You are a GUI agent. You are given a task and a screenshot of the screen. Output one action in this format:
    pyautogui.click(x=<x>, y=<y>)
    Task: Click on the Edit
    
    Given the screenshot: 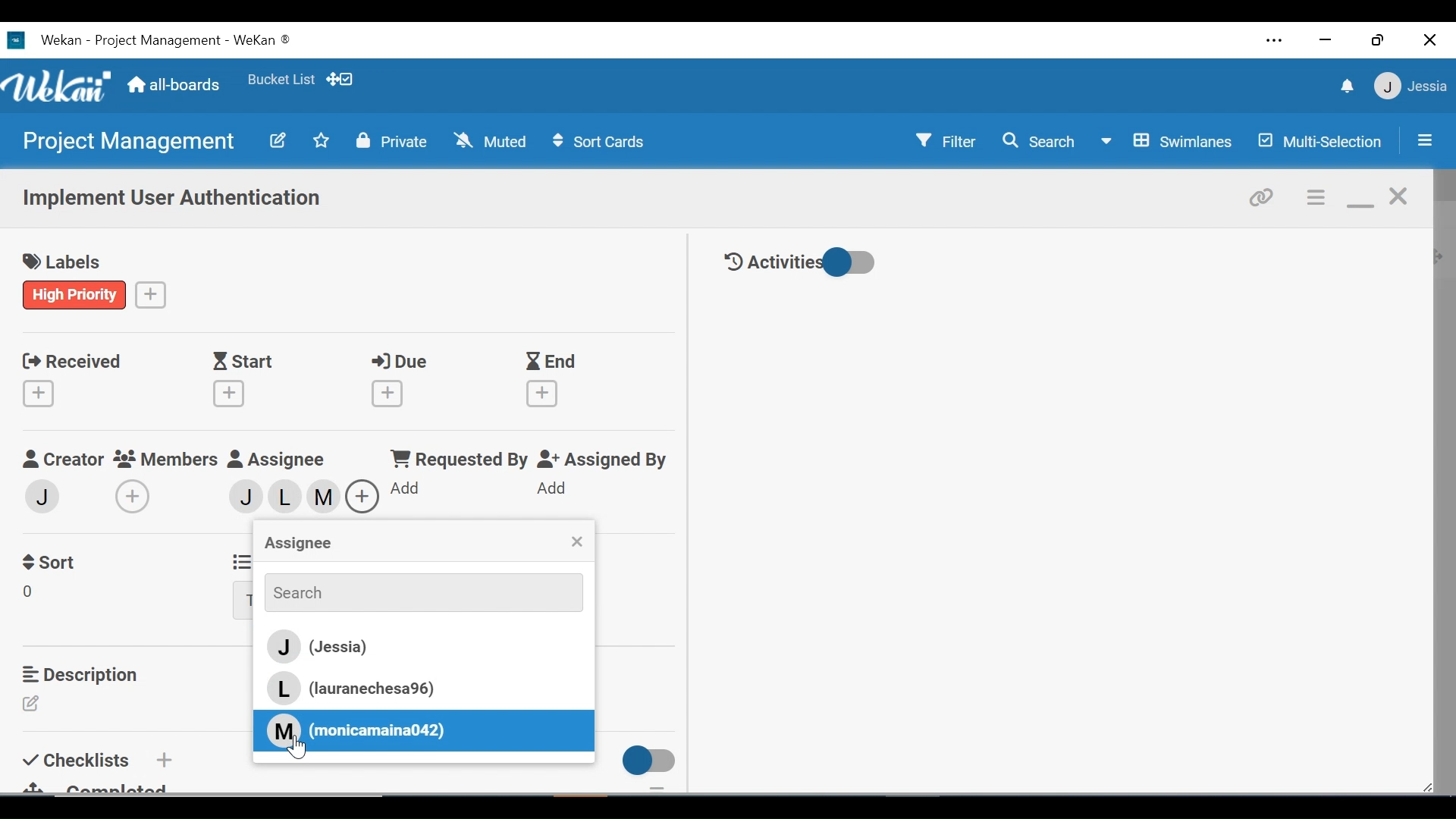 What is the action you would take?
    pyautogui.click(x=277, y=140)
    